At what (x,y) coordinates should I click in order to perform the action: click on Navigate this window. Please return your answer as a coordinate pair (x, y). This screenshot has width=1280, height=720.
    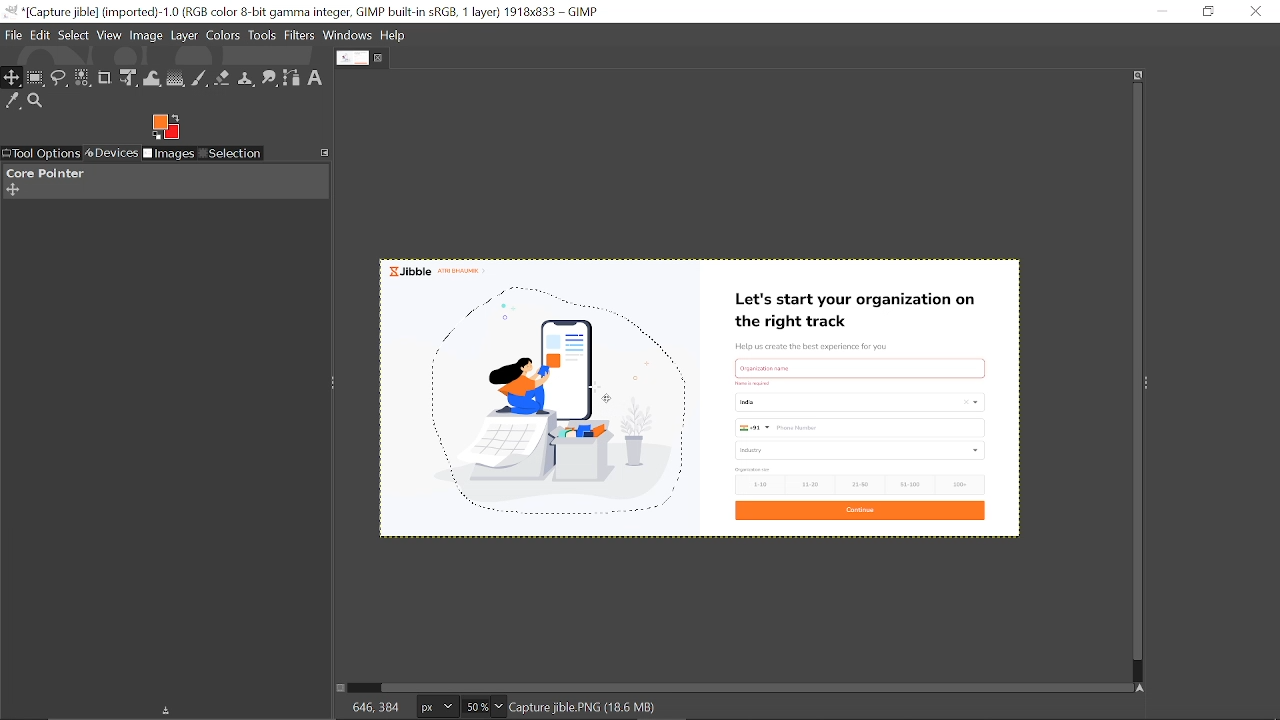
    Looking at the image, I should click on (1144, 688).